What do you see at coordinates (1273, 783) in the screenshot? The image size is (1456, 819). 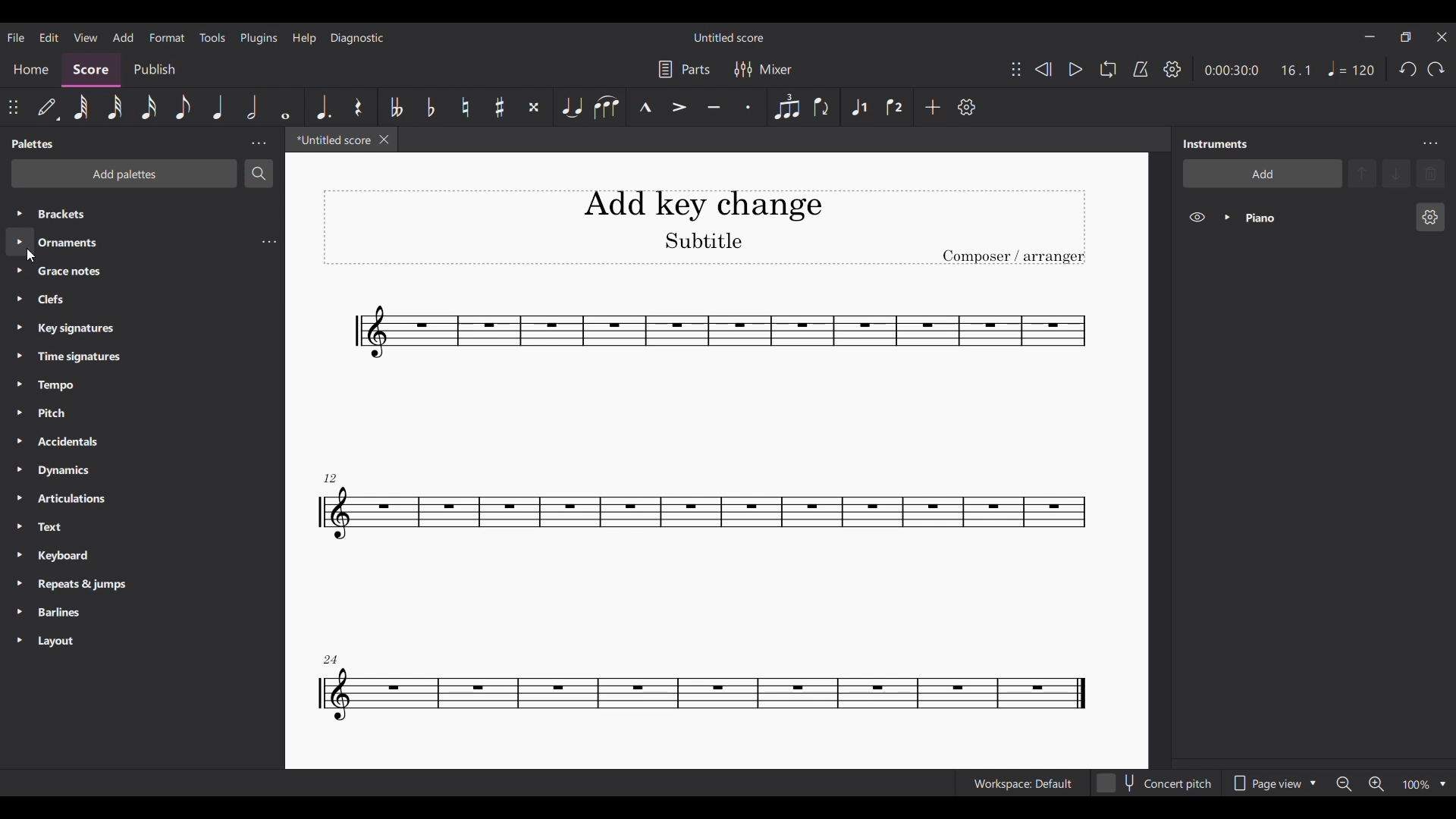 I see `Page view options` at bounding box center [1273, 783].